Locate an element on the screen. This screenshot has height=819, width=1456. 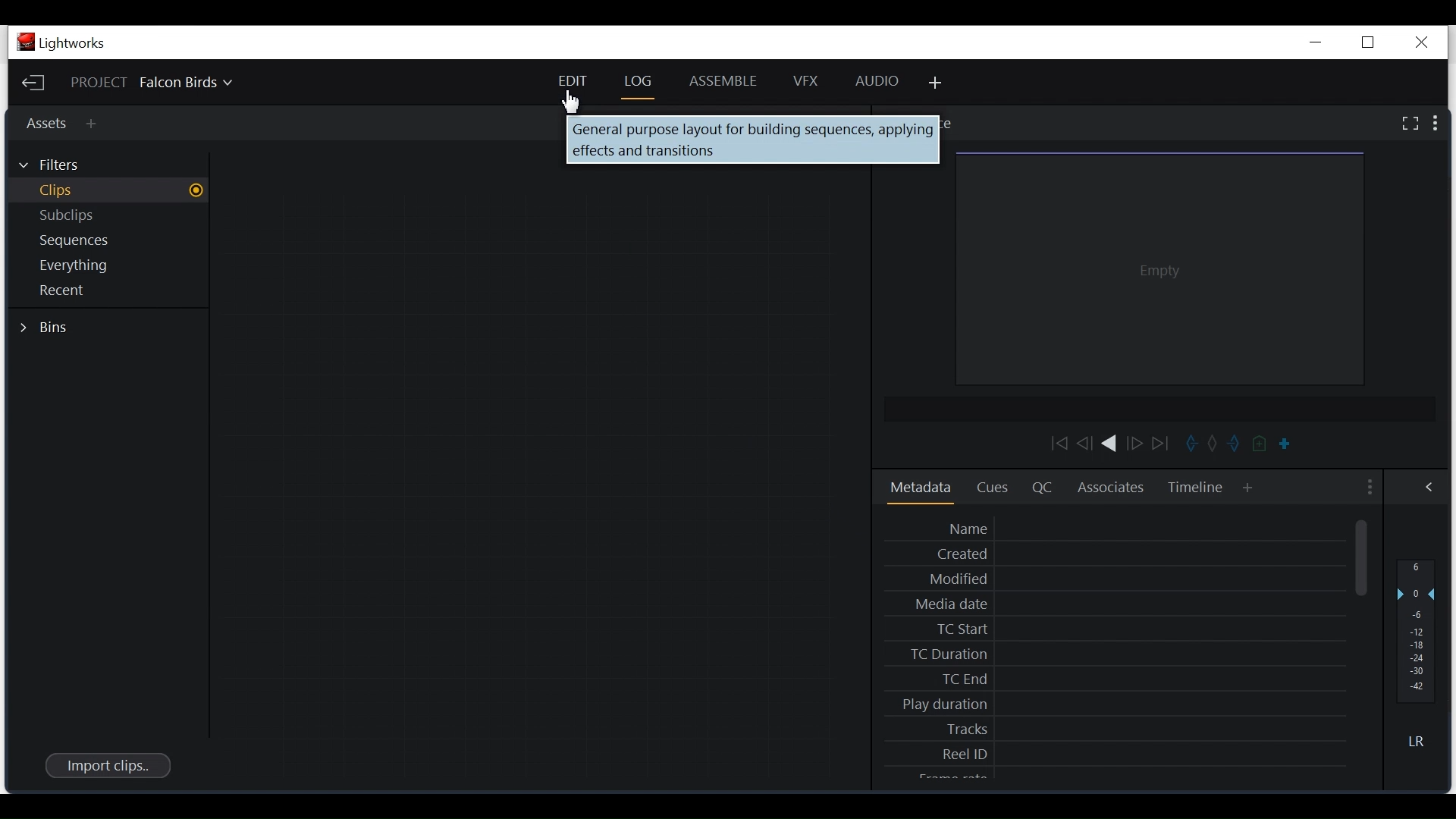
Add attachment is located at coordinates (96, 127).